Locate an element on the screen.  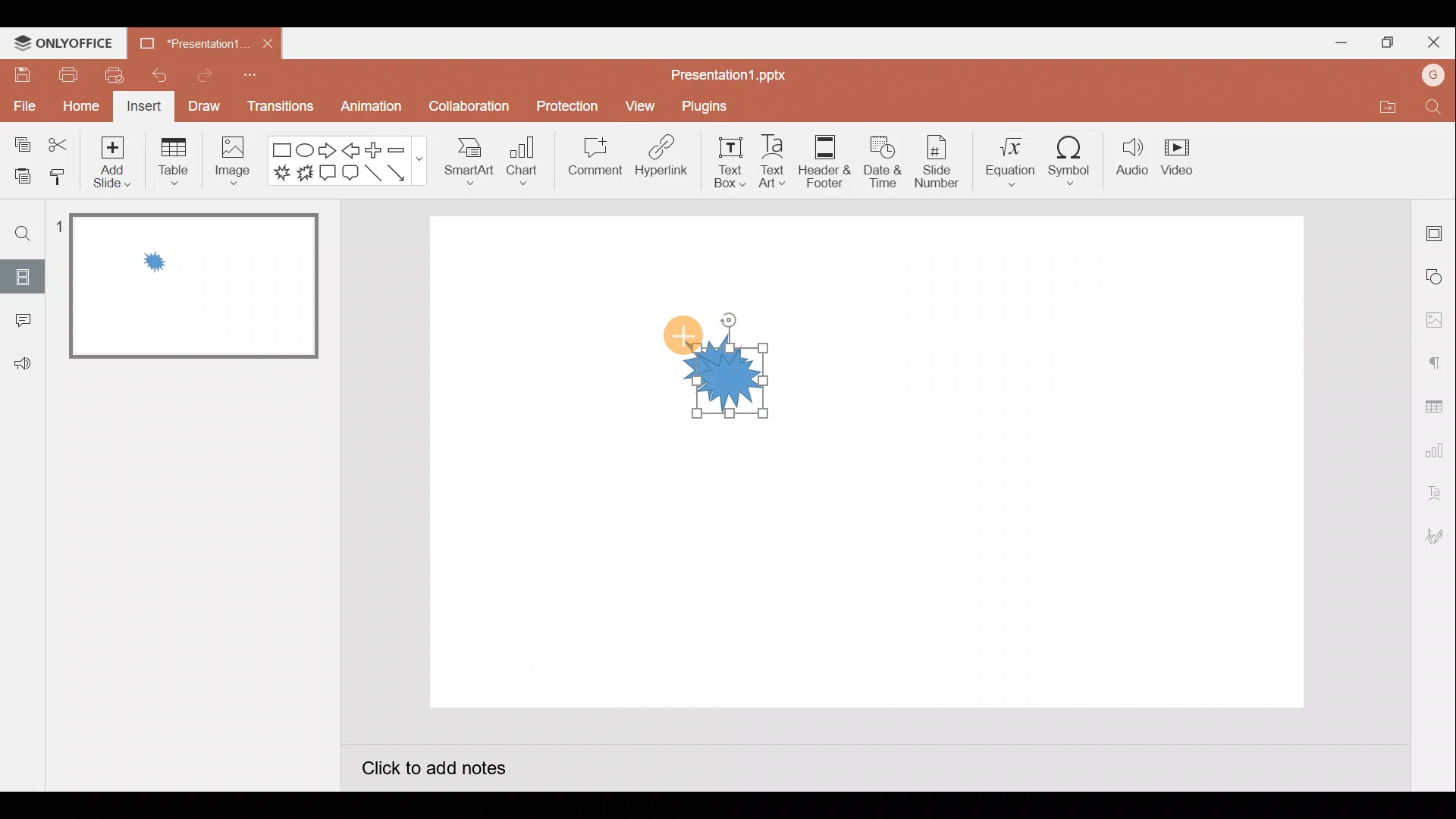
Find is located at coordinates (21, 234).